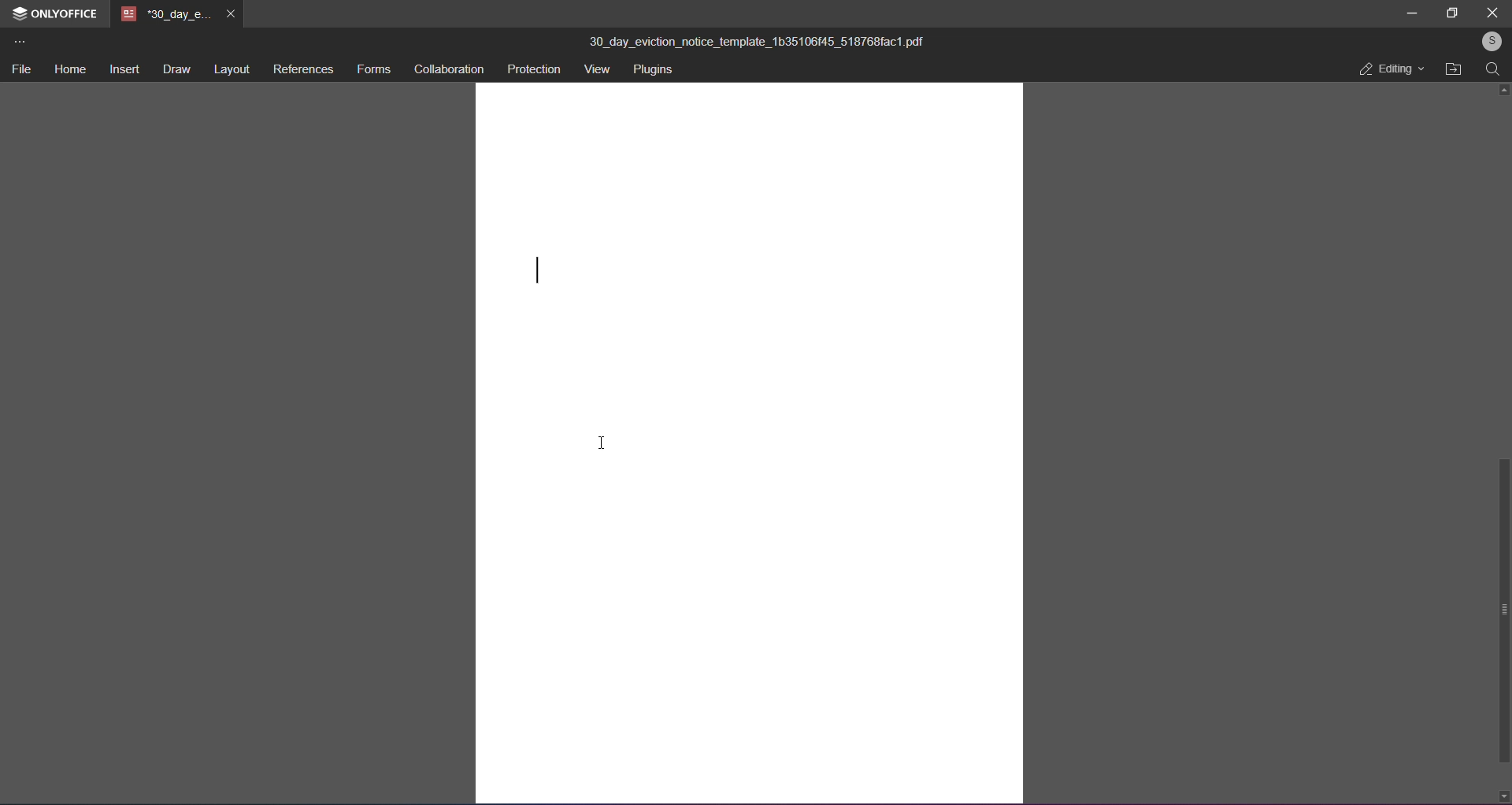  I want to click on view, so click(597, 70).